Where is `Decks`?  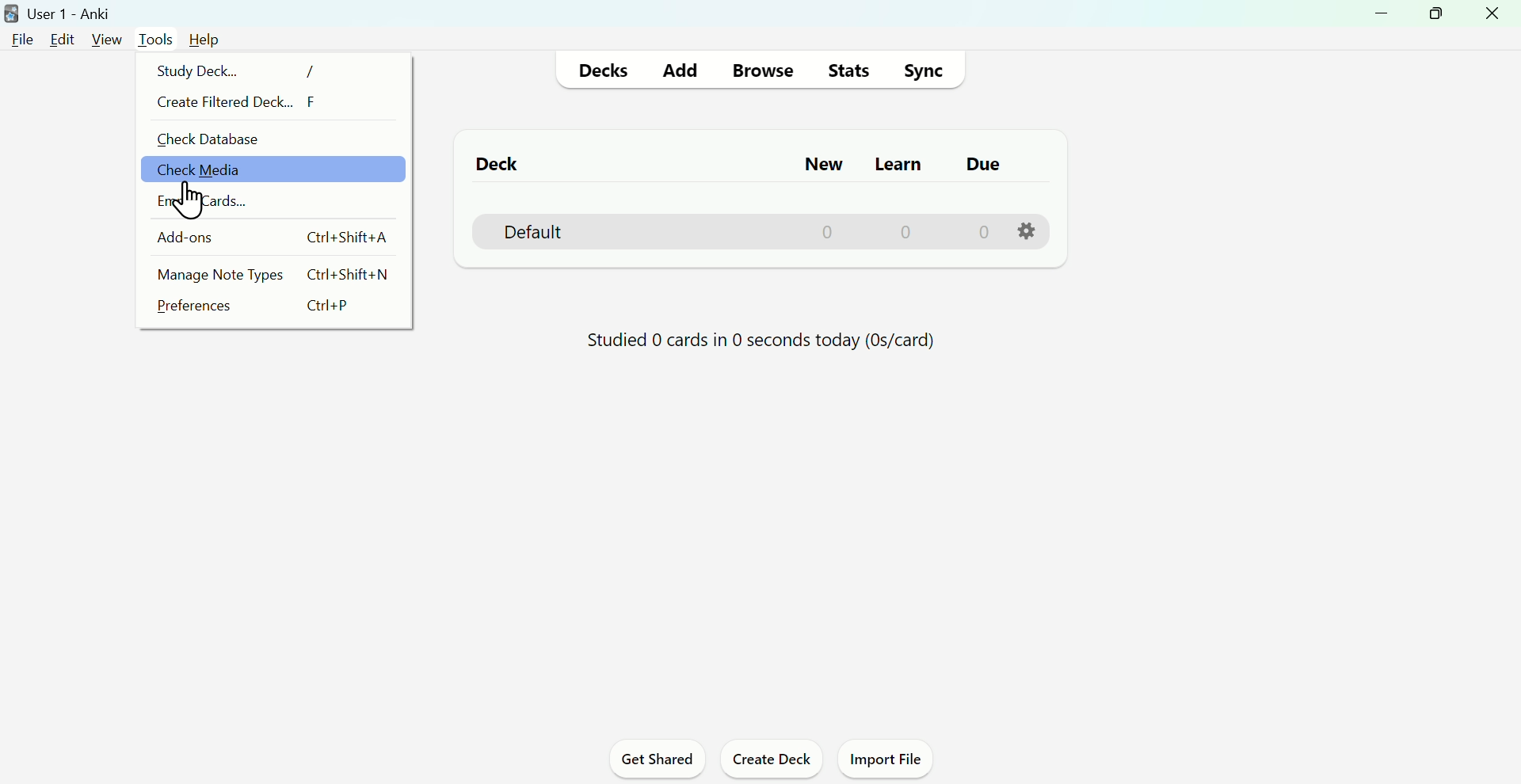
Decks is located at coordinates (601, 69).